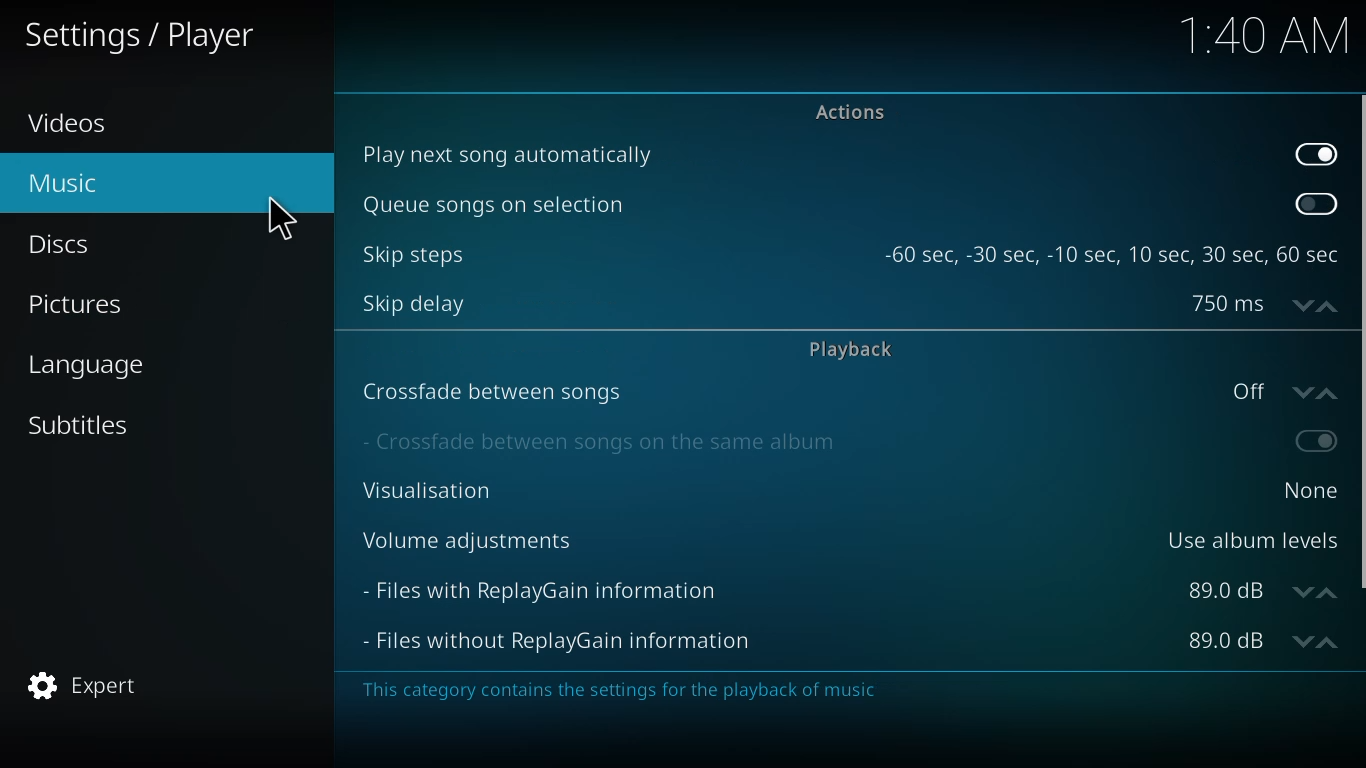  Describe the element at coordinates (473, 538) in the screenshot. I see `volume adjustments` at that location.